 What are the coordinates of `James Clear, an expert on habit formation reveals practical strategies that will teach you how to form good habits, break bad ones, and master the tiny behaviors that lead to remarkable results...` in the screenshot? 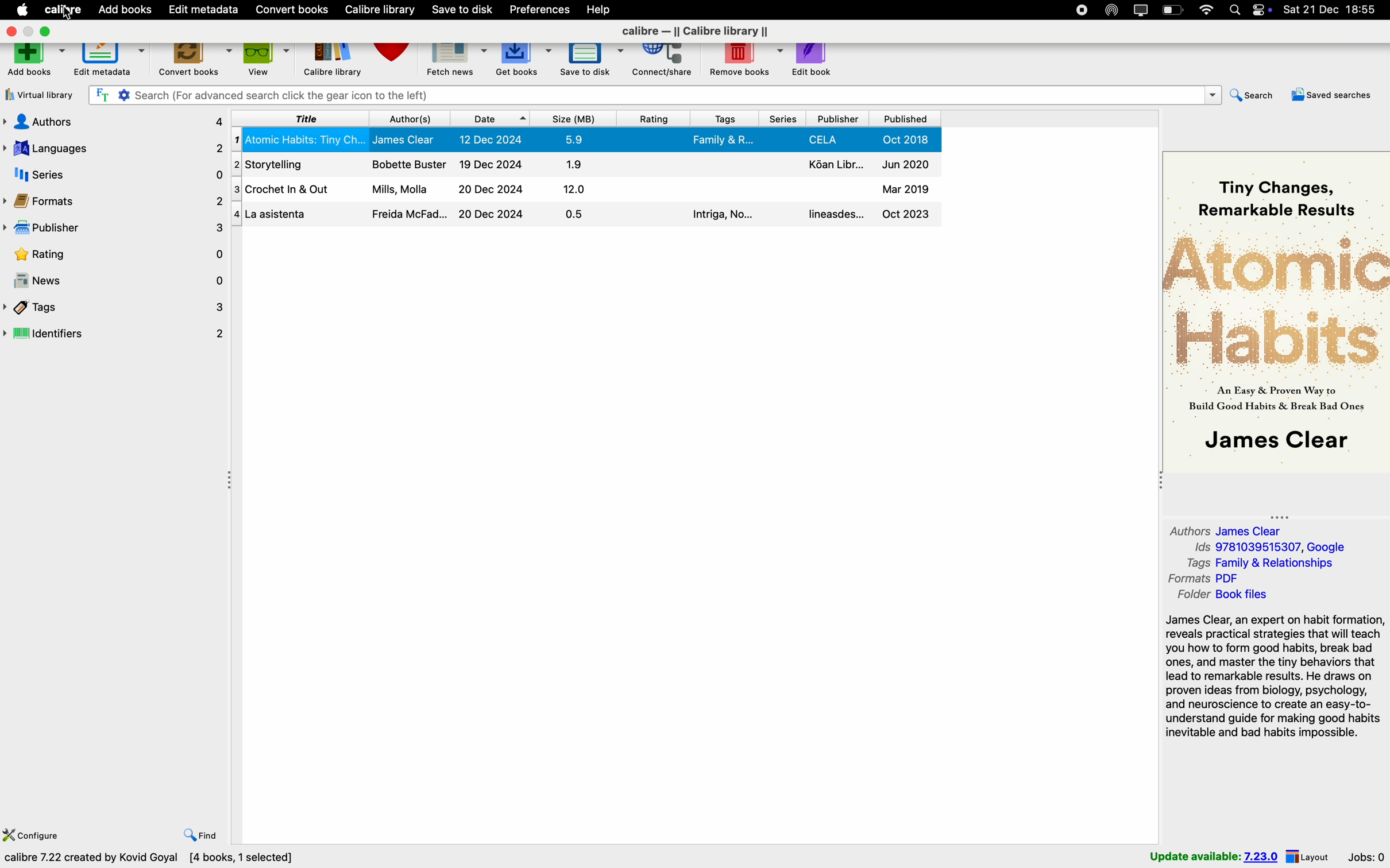 It's located at (1273, 679).